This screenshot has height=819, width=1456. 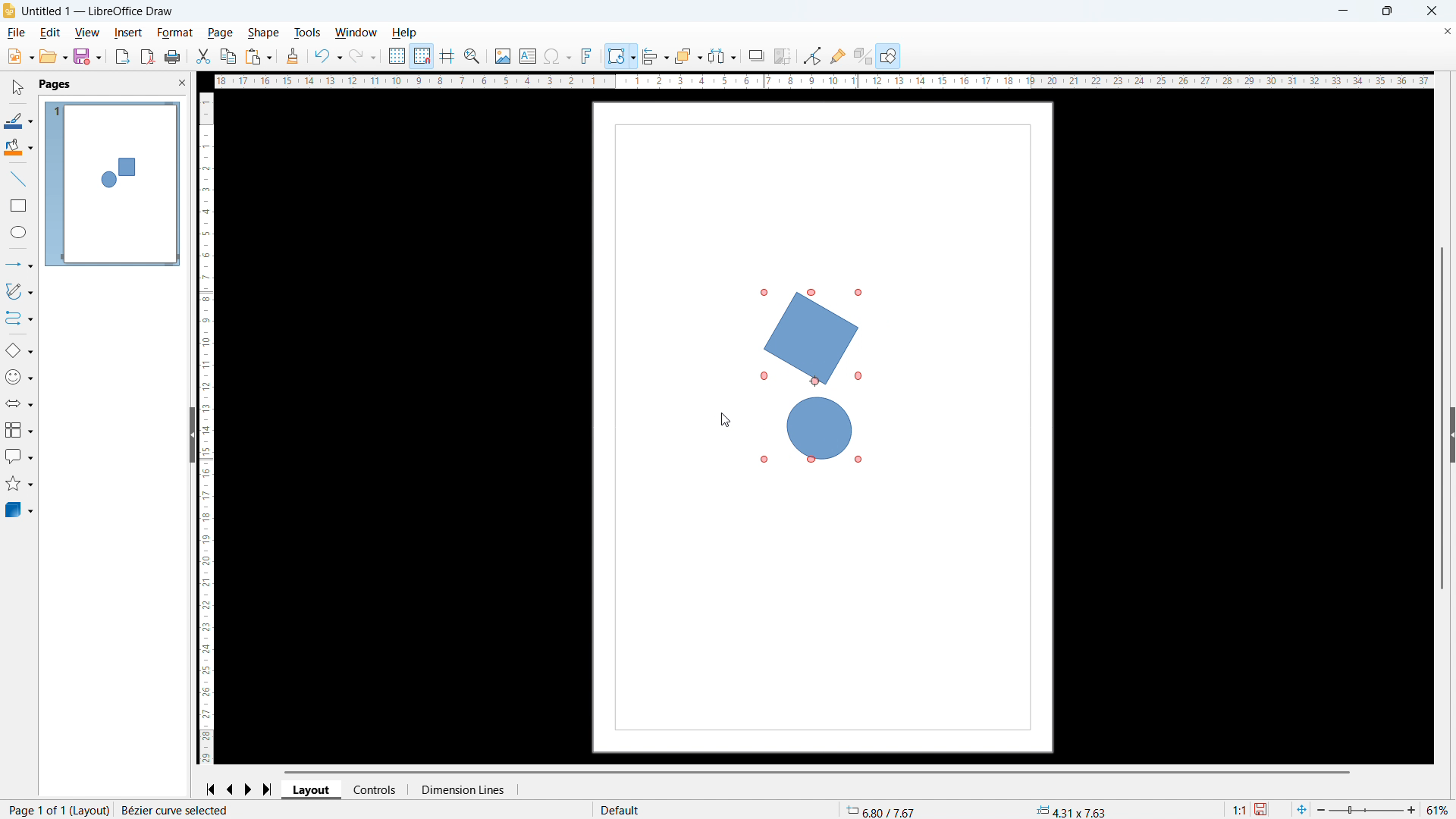 What do you see at coordinates (528, 56) in the screenshot?
I see `Insert text box ` at bounding box center [528, 56].